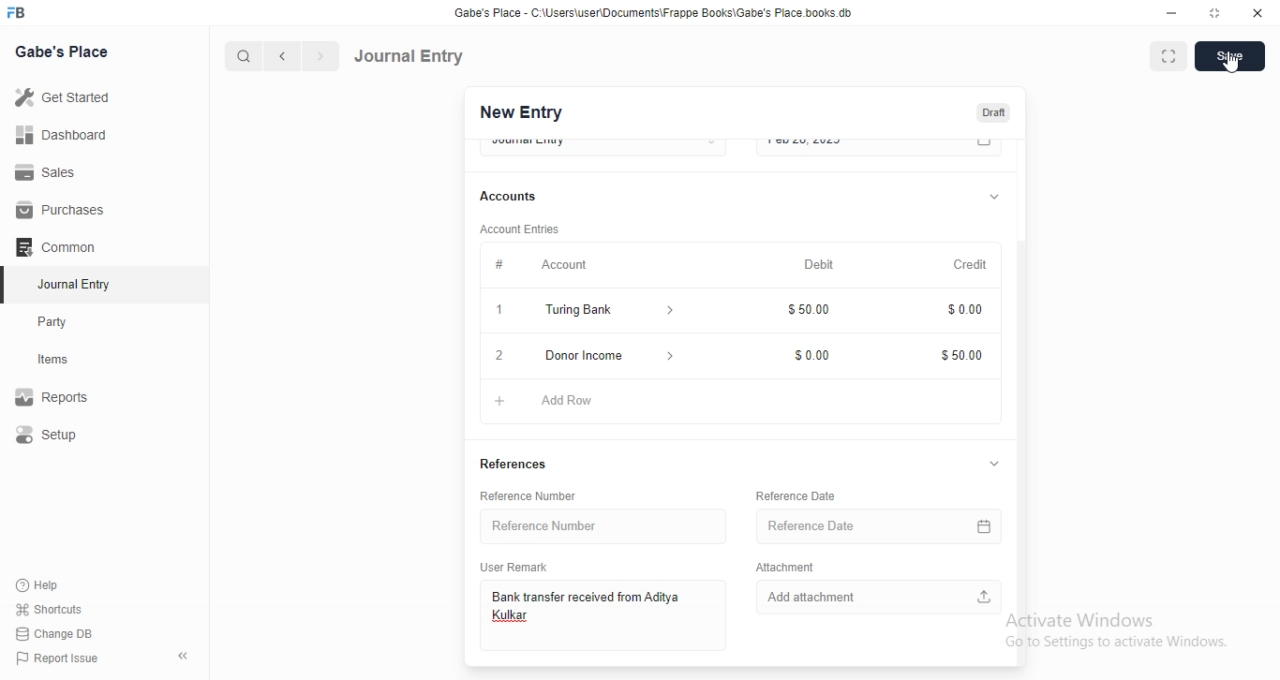 This screenshot has height=680, width=1280. Describe the element at coordinates (1170, 16) in the screenshot. I see `minimize` at that location.